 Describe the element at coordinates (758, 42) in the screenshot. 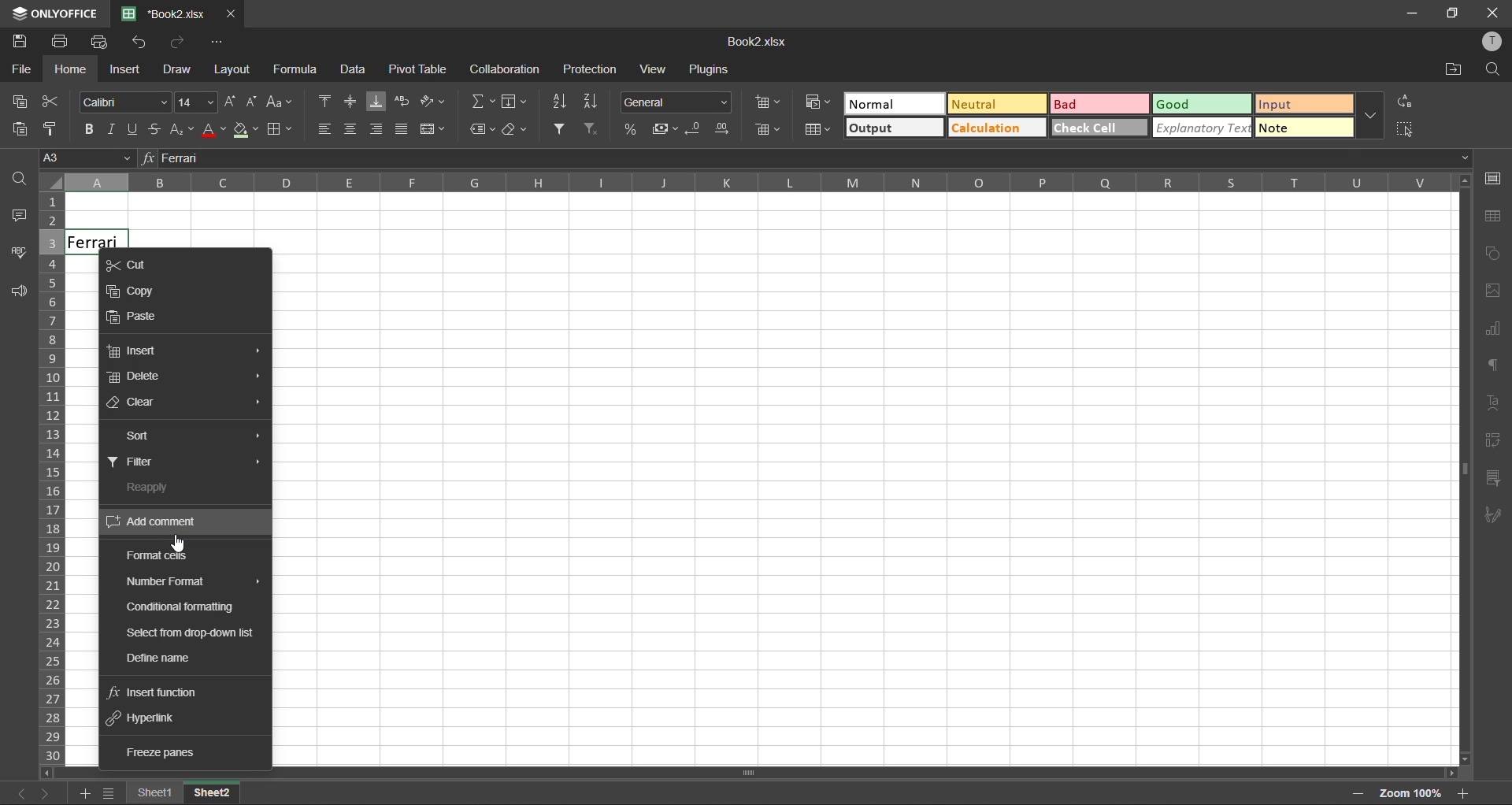

I see `Book2.xslx` at that location.